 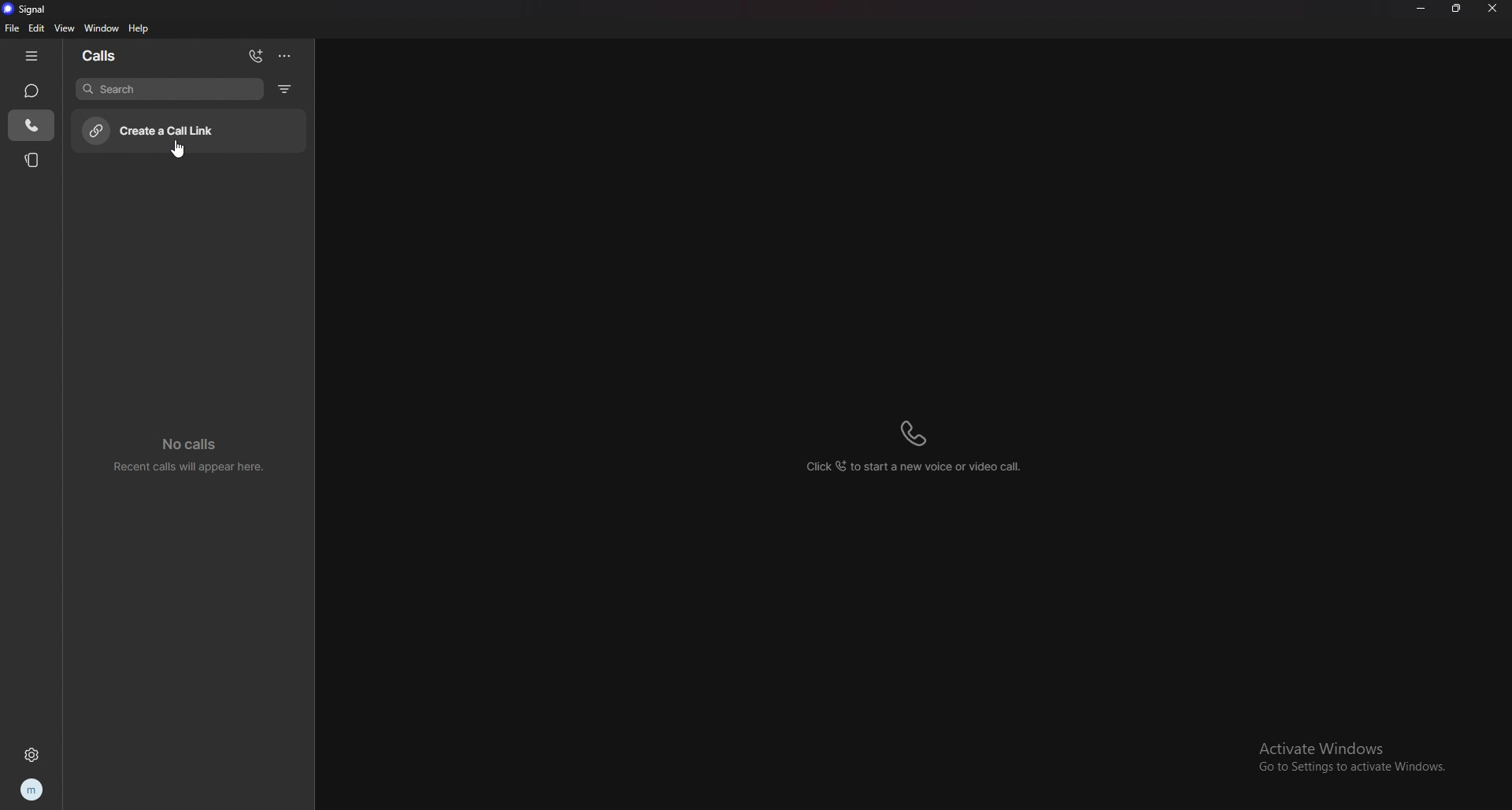 I want to click on resize, so click(x=1456, y=9).